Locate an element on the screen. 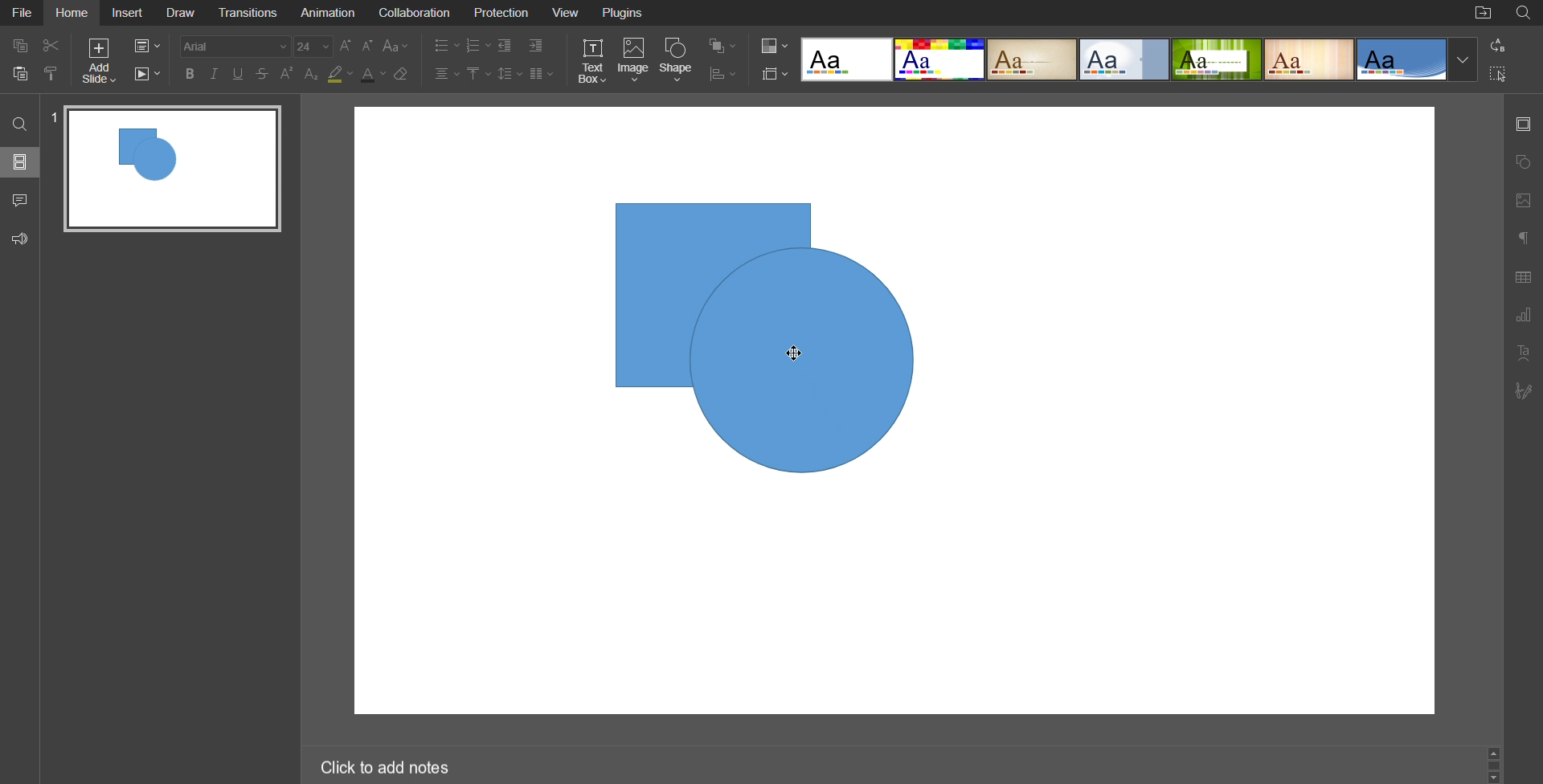 Image resolution: width=1543 pixels, height=784 pixels. Signature is located at coordinates (1522, 390).